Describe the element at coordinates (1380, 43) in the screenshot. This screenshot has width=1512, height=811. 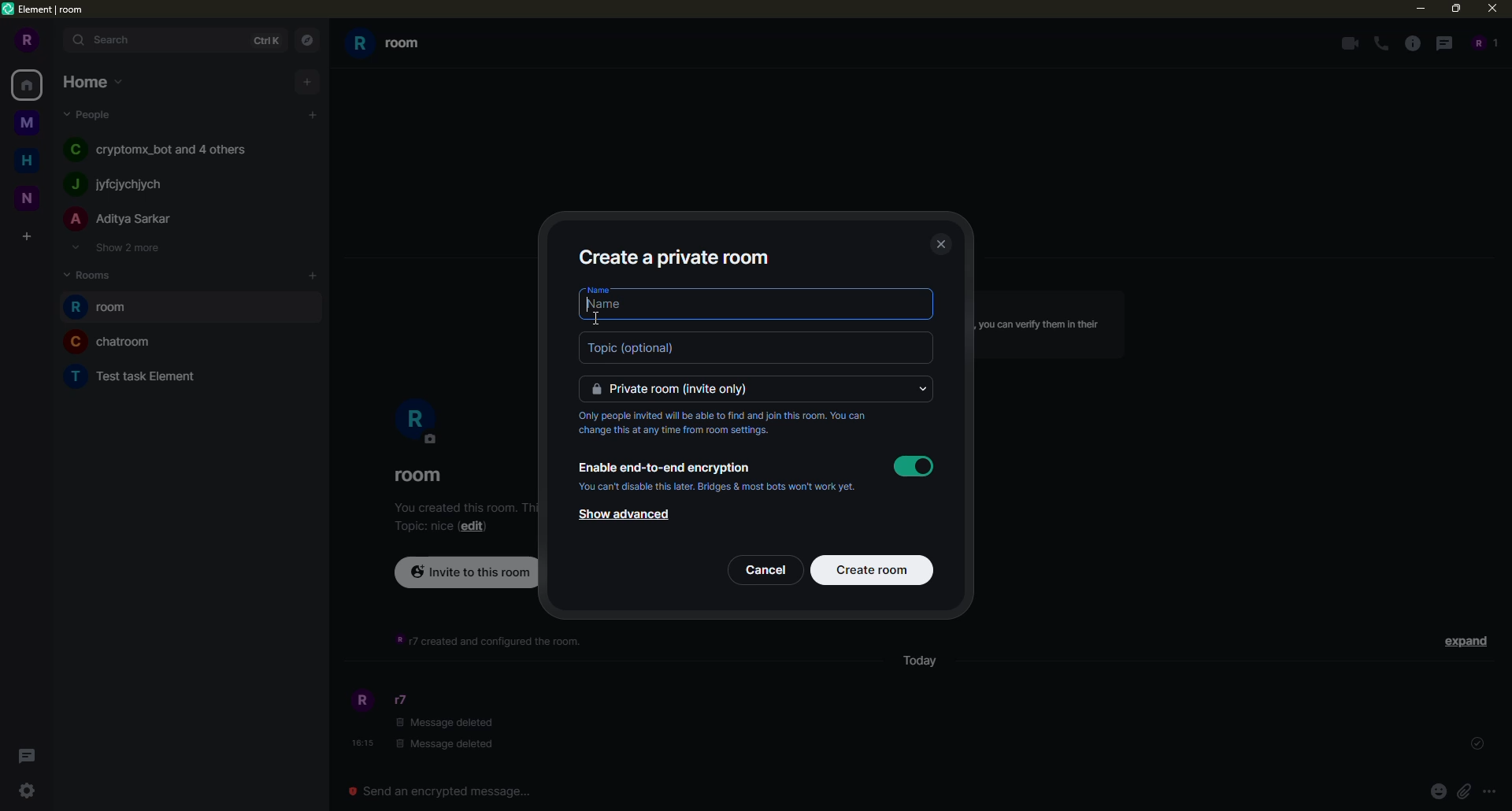
I see `voice call` at that location.